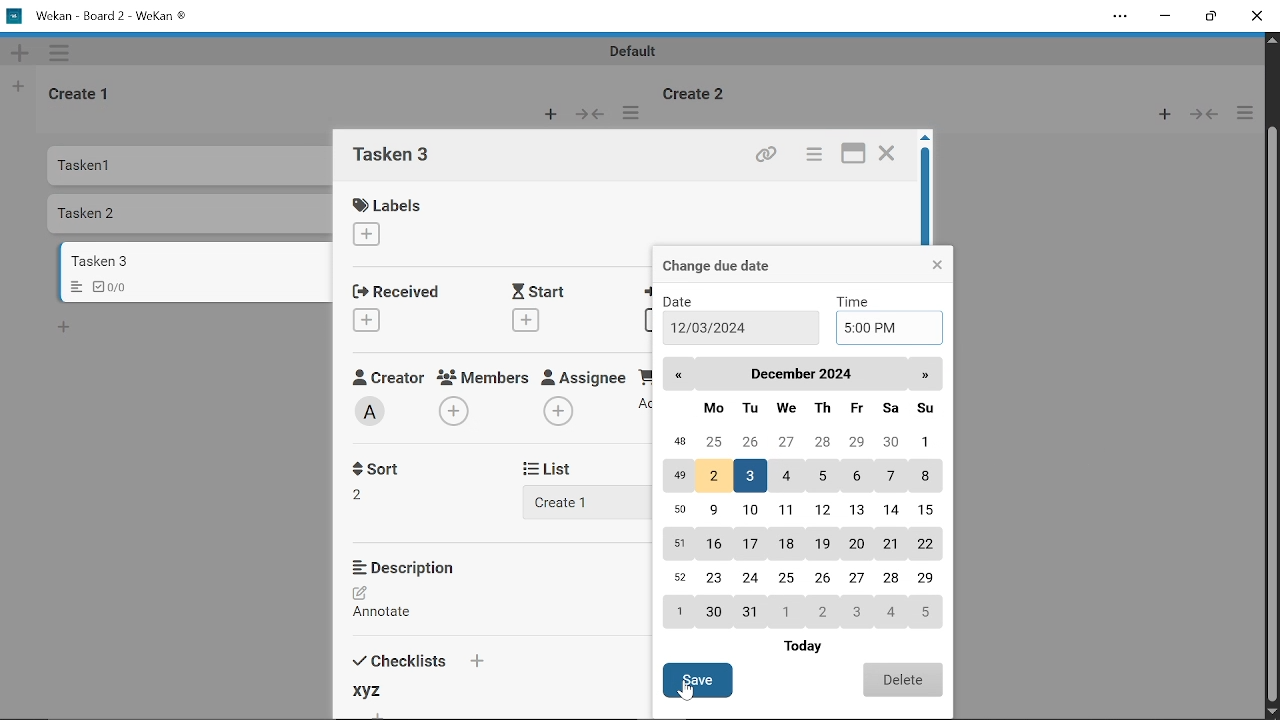 The image size is (1280, 720). I want to click on Forward/Back, so click(590, 113).